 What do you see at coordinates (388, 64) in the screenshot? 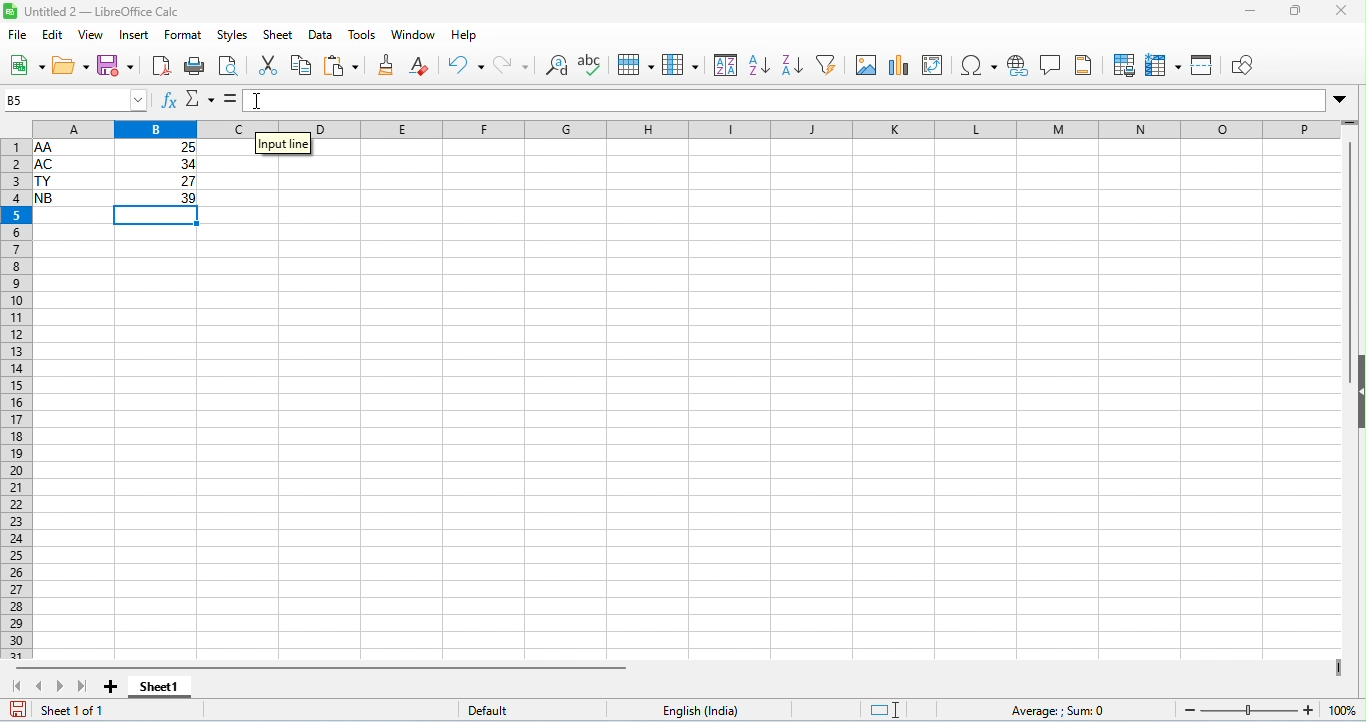
I see `clone` at bounding box center [388, 64].